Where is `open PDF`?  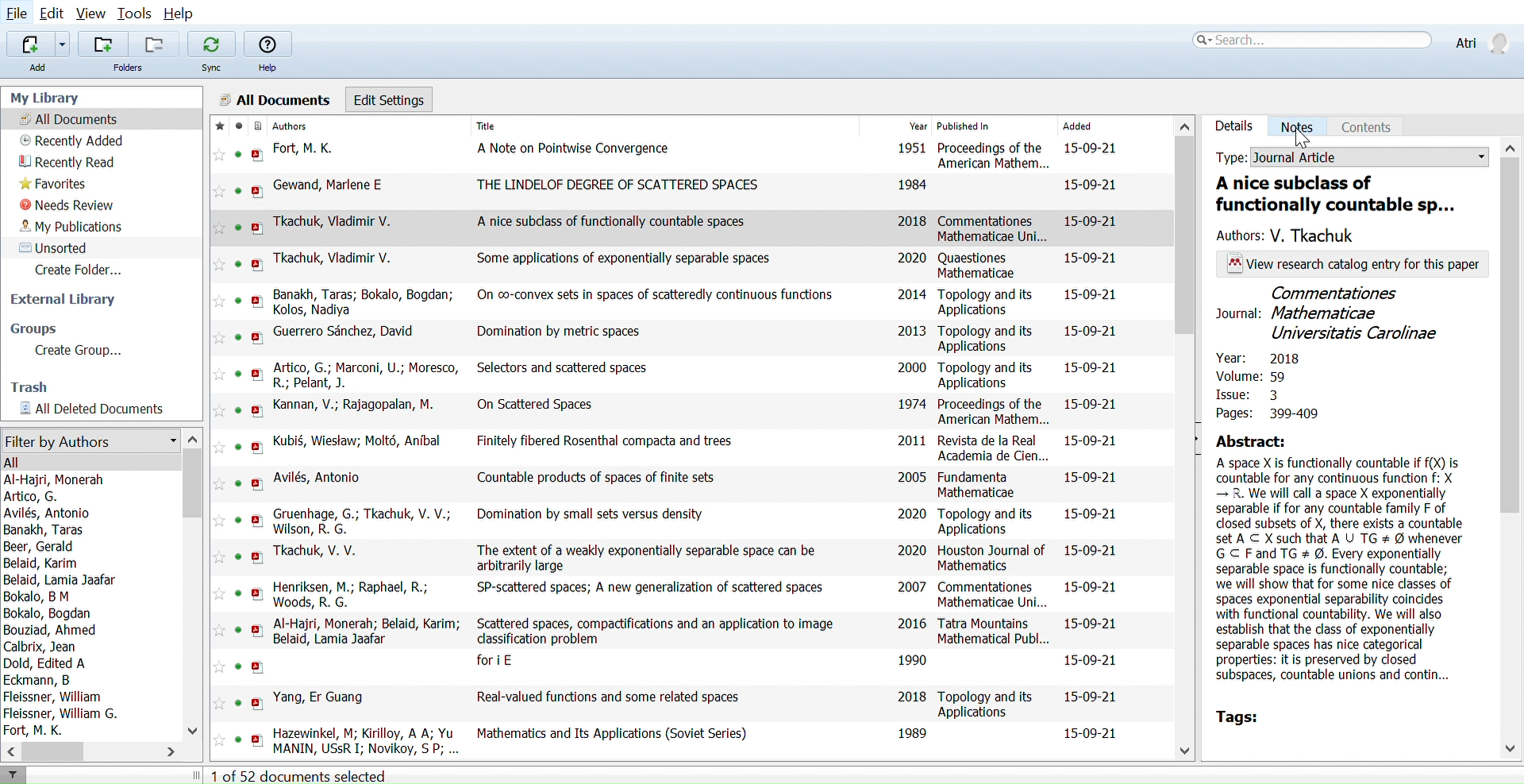 open PDF is located at coordinates (257, 155).